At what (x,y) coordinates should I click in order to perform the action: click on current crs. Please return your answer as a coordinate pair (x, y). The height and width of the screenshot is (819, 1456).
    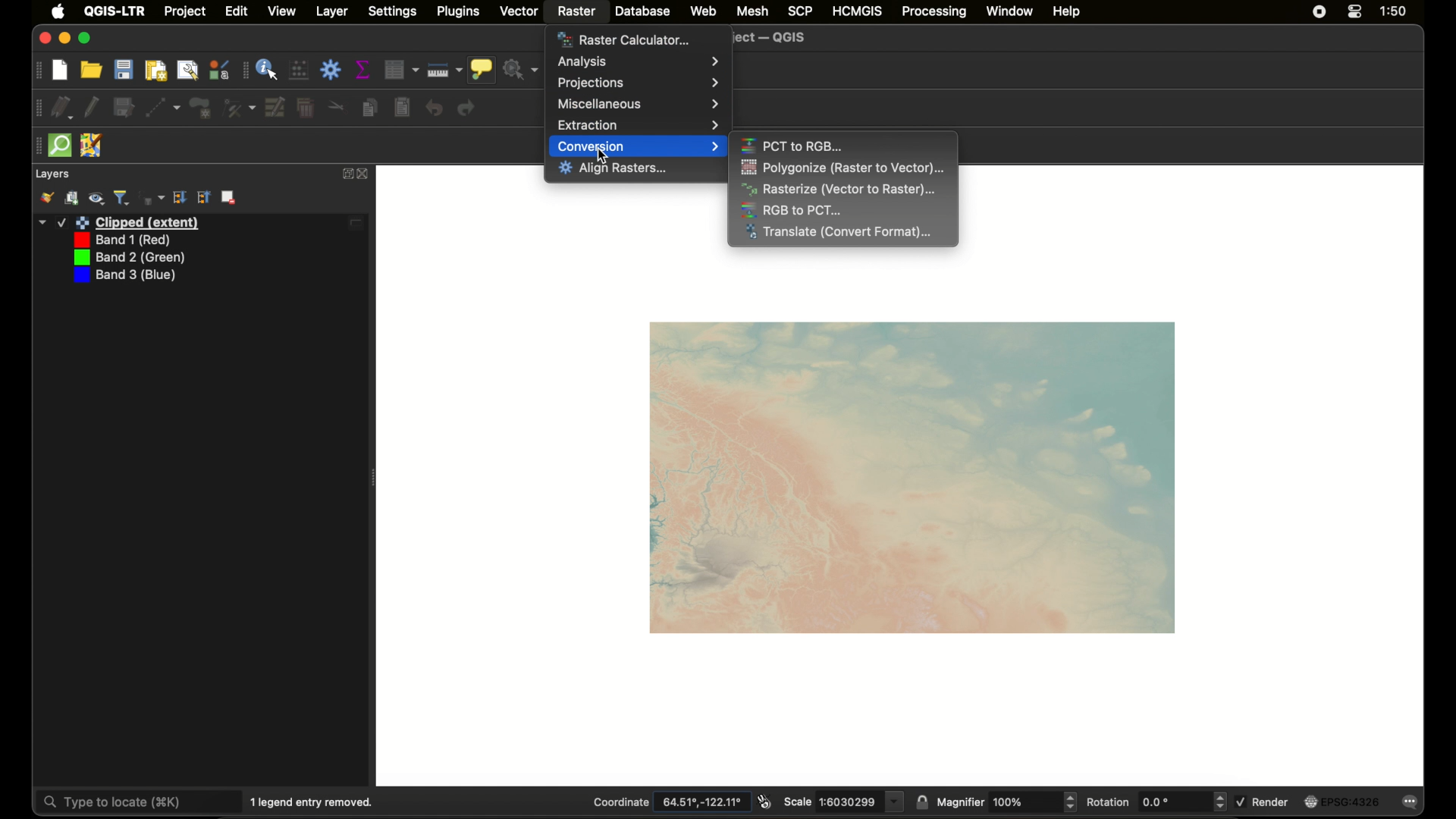
    Looking at the image, I should click on (1340, 802).